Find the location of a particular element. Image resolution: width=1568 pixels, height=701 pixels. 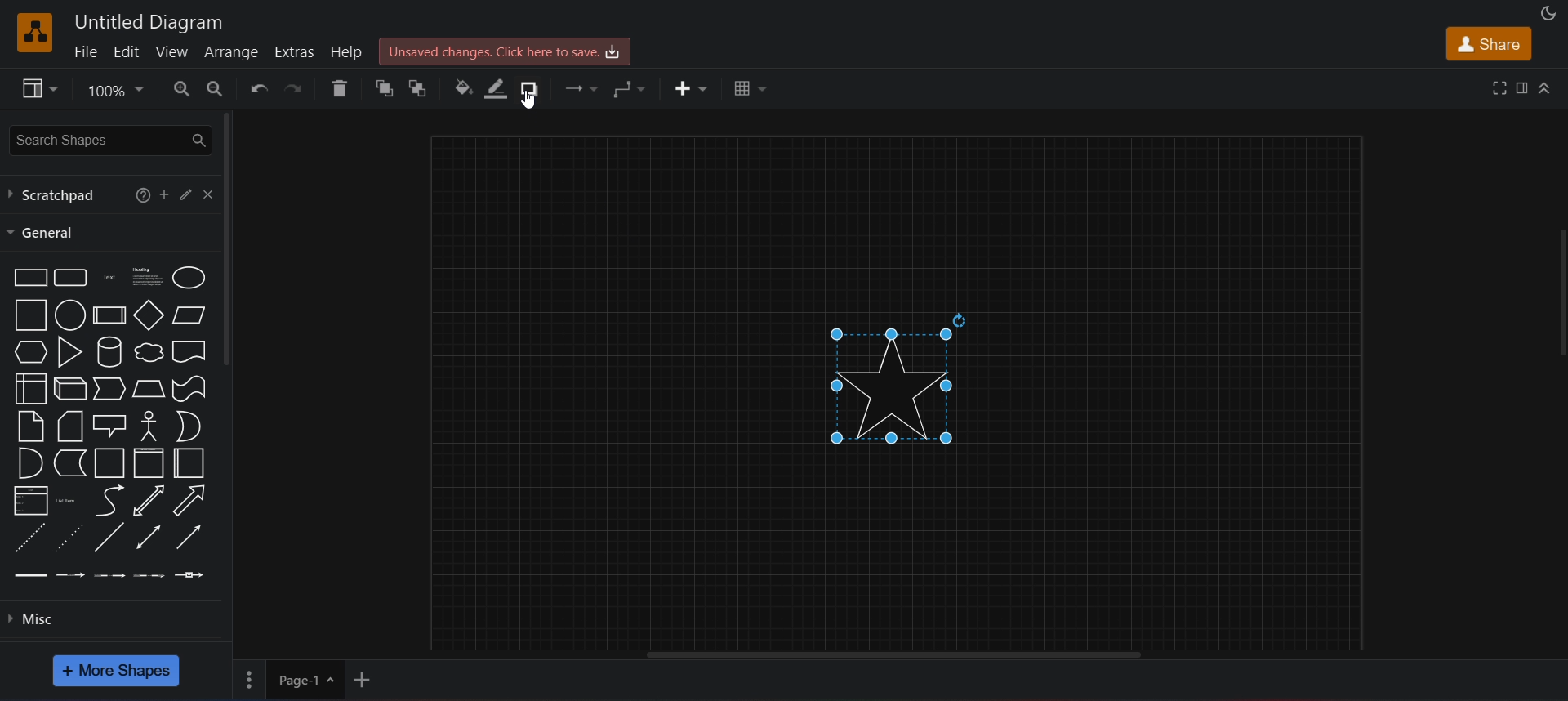

redo is located at coordinates (296, 91).